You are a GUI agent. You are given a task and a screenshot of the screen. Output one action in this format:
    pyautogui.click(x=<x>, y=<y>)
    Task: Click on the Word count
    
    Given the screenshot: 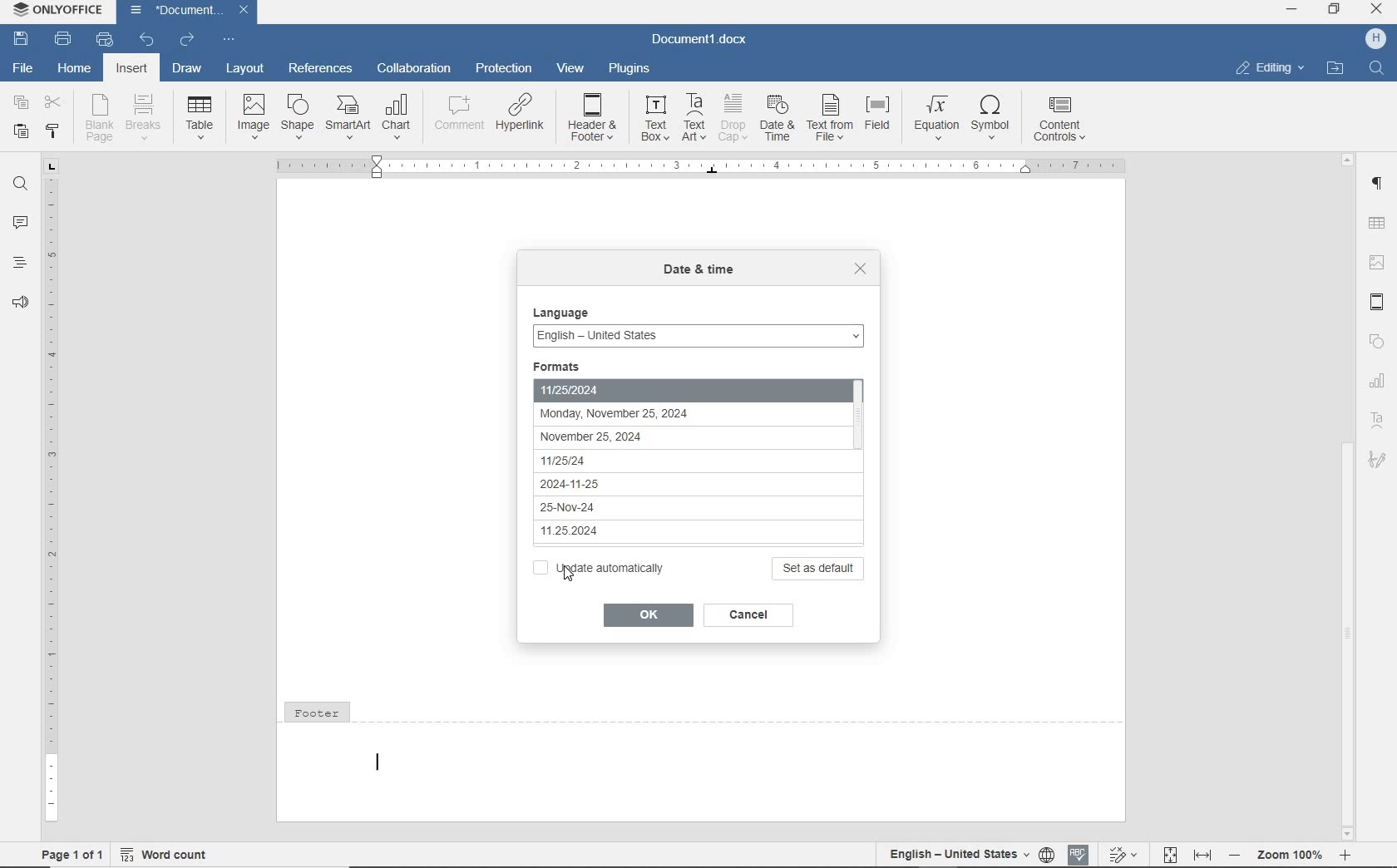 What is the action you would take?
    pyautogui.click(x=166, y=856)
    